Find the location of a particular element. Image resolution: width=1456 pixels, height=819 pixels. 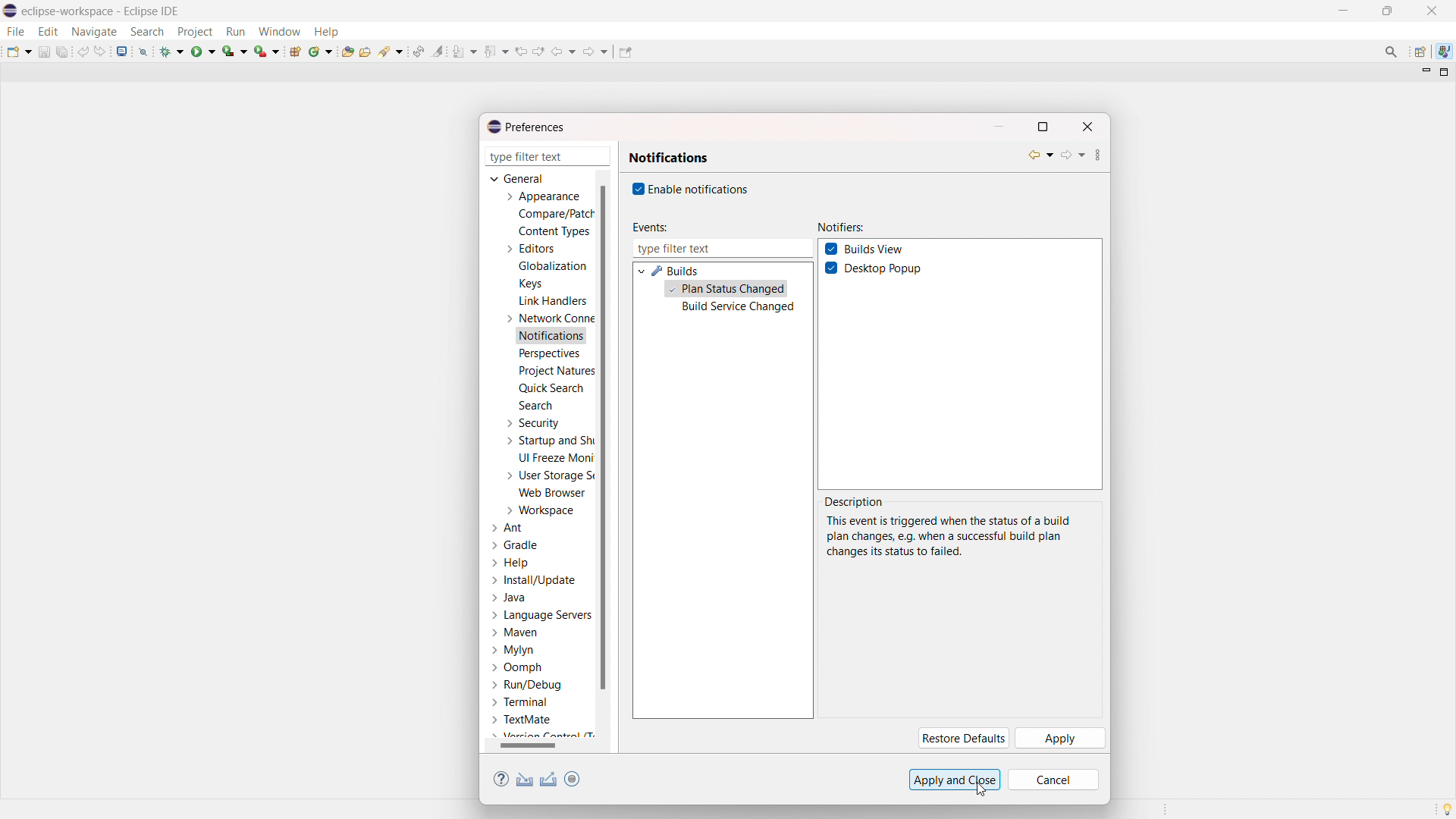

build service changed is located at coordinates (738, 308).